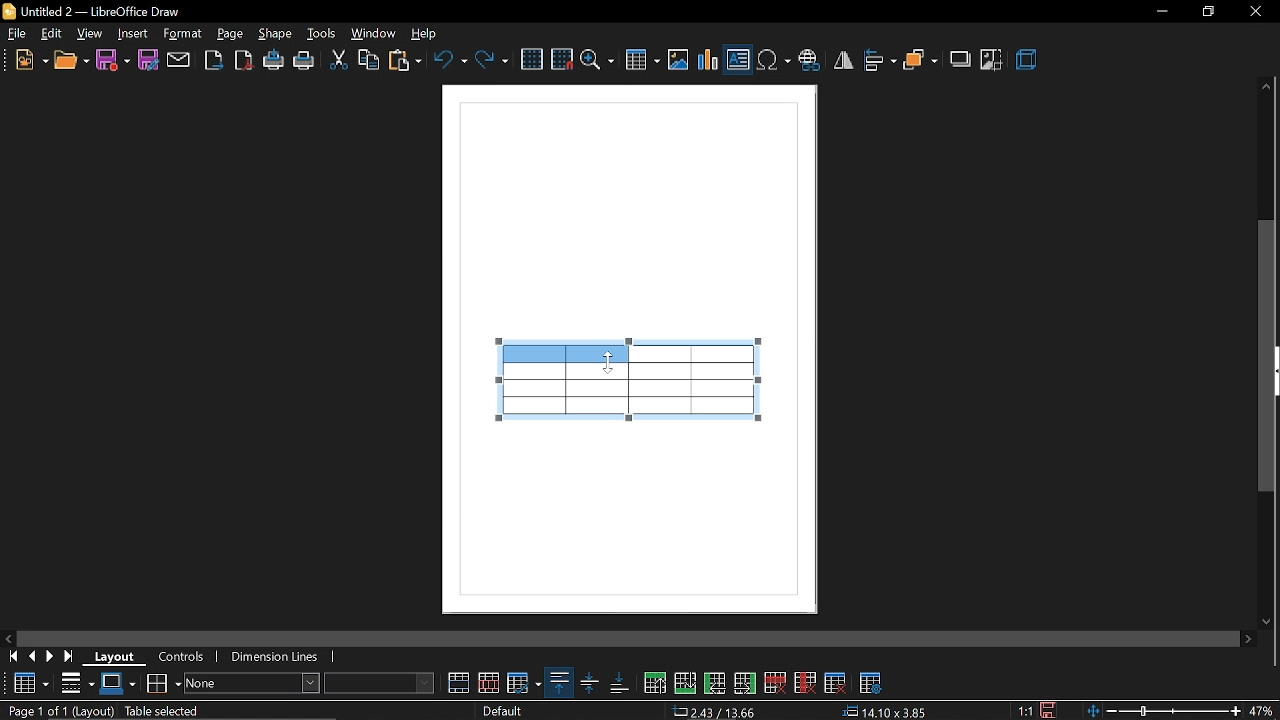 This screenshot has width=1280, height=720. I want to click on export as, so click(214, 61).